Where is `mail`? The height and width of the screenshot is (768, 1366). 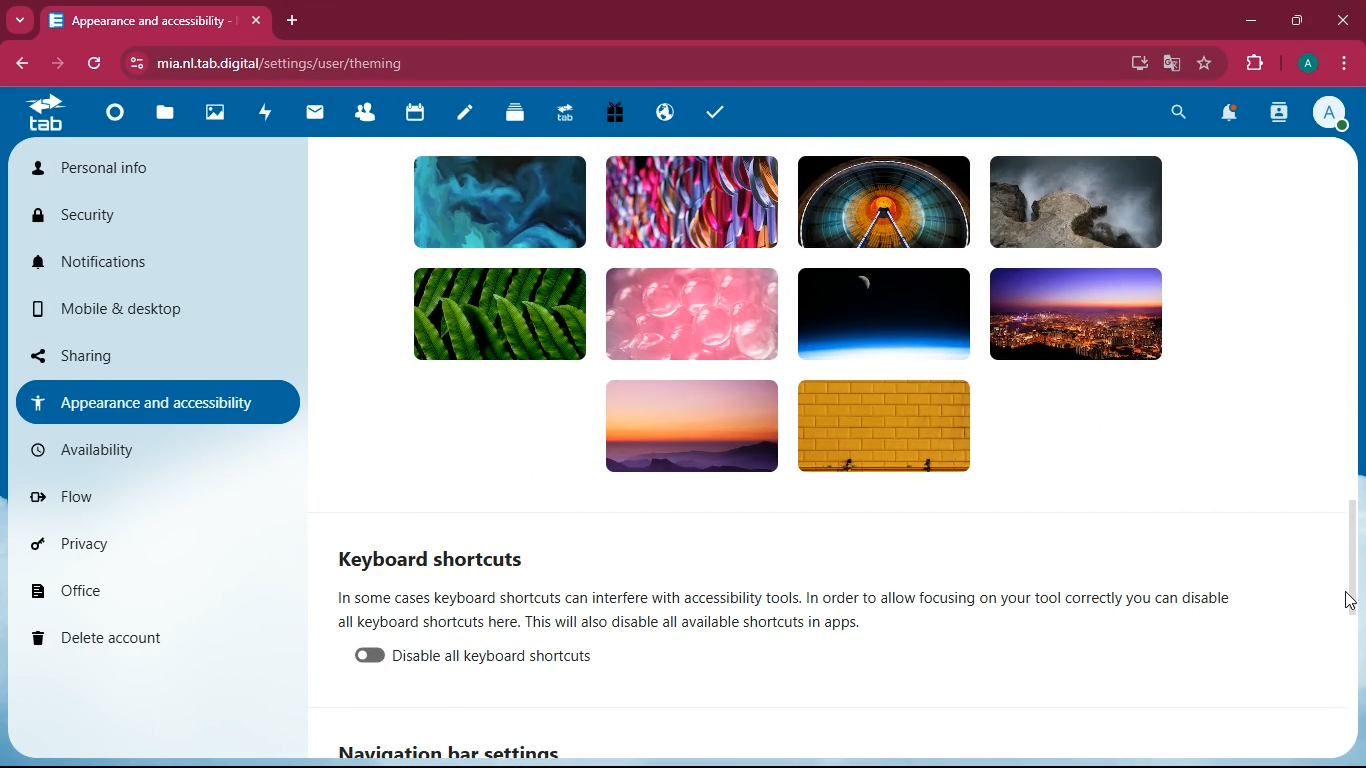 mail is located at coordinates (316, 114).